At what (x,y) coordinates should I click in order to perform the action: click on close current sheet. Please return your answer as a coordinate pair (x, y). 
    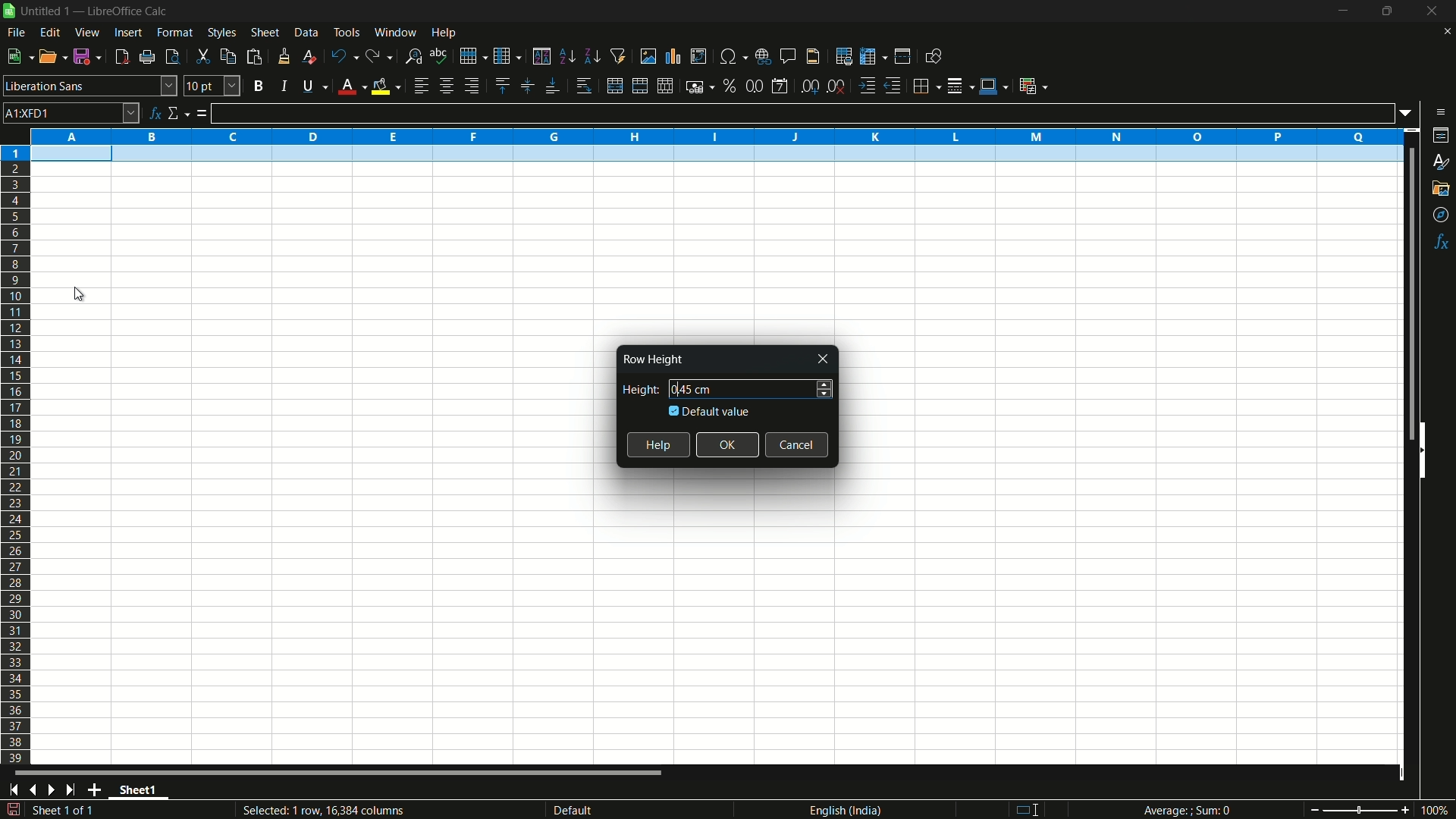
    Looking at the image, I should click on (1445, 35).